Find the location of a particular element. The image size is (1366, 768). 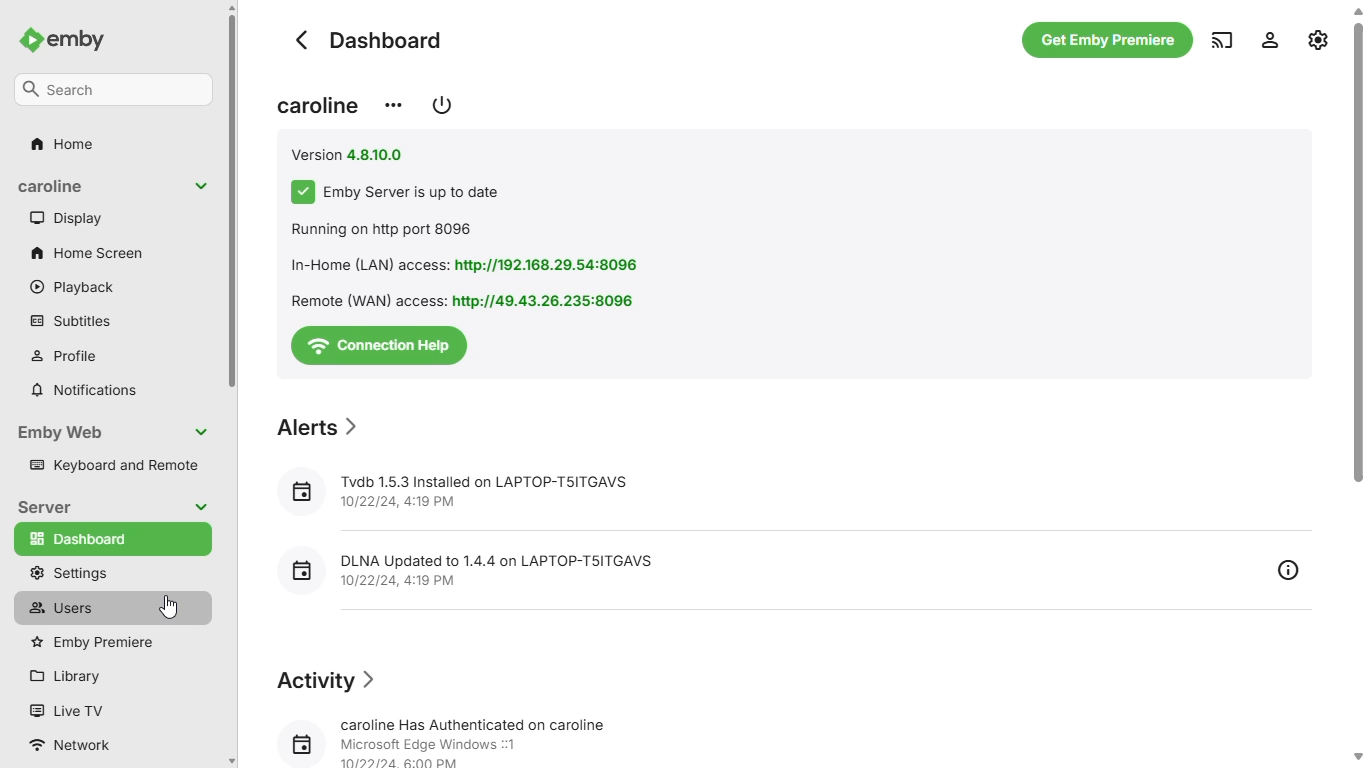

vertical scroll bar is located at coordinates (233, 202).